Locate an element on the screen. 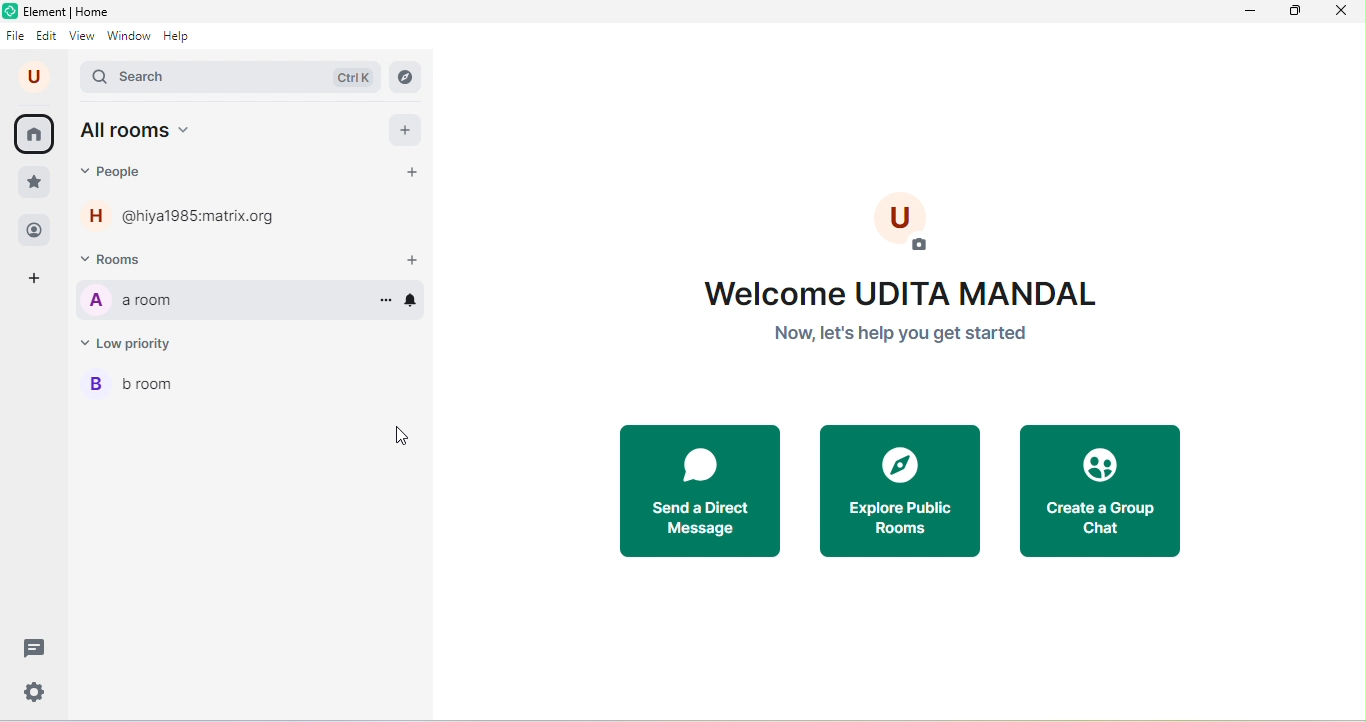 This screenshot has width=1366, height=722. cursor is located at coordinates (382, 307).